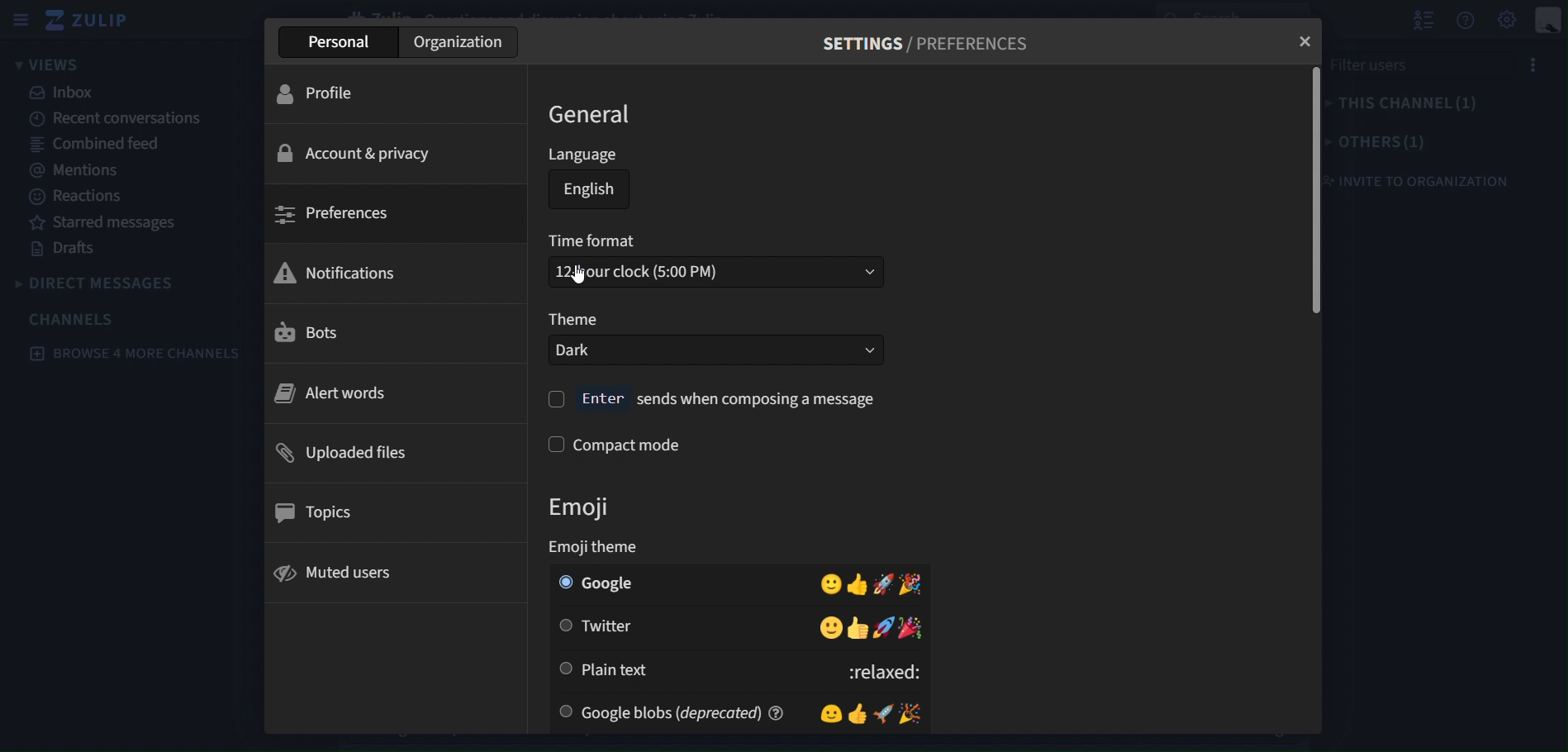  Describe the element at coordinates (93, 143) in the screenshot. I see `combined feed` at that location.